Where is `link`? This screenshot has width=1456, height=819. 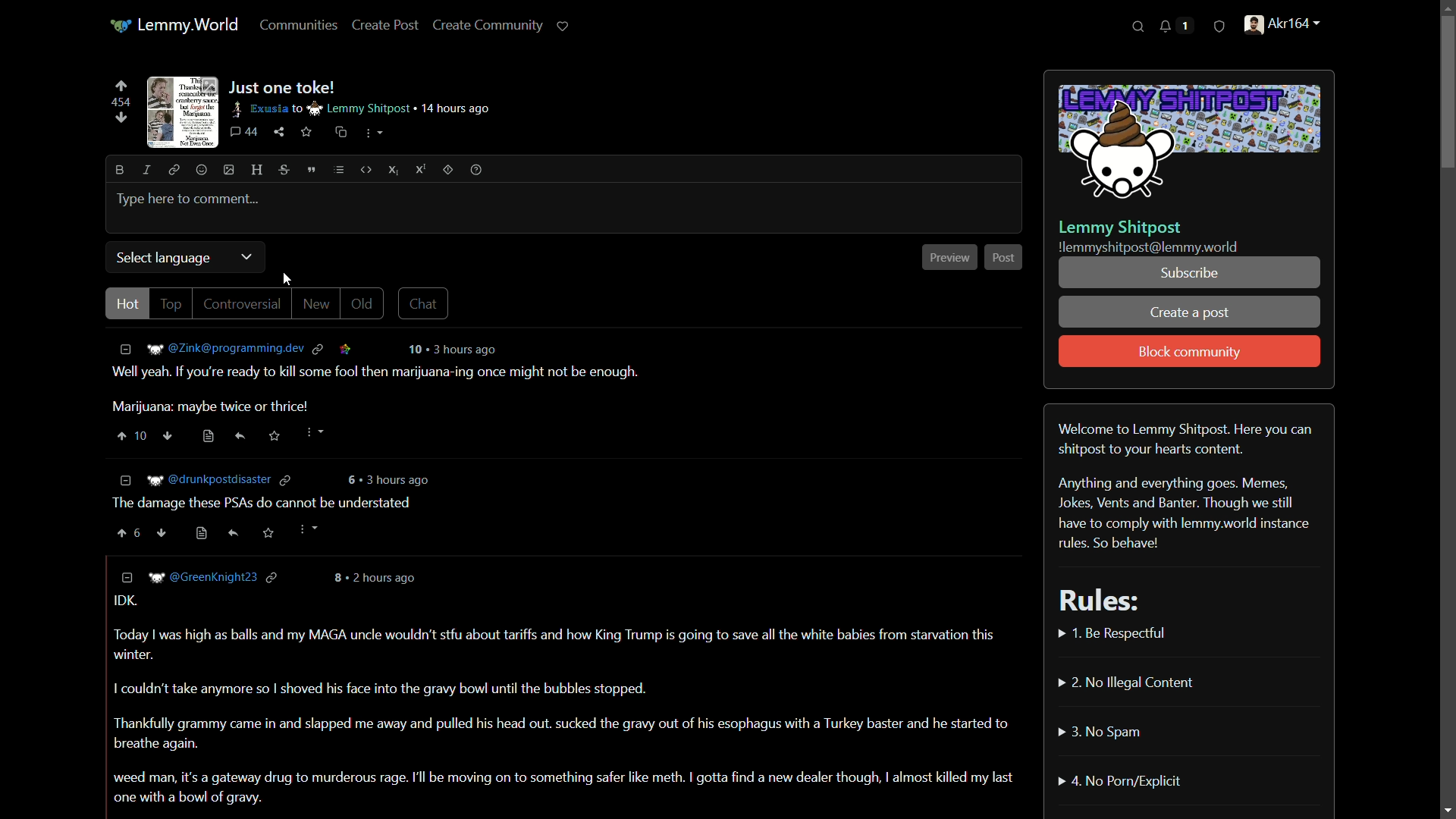 link is located at coordinates (321, 347).